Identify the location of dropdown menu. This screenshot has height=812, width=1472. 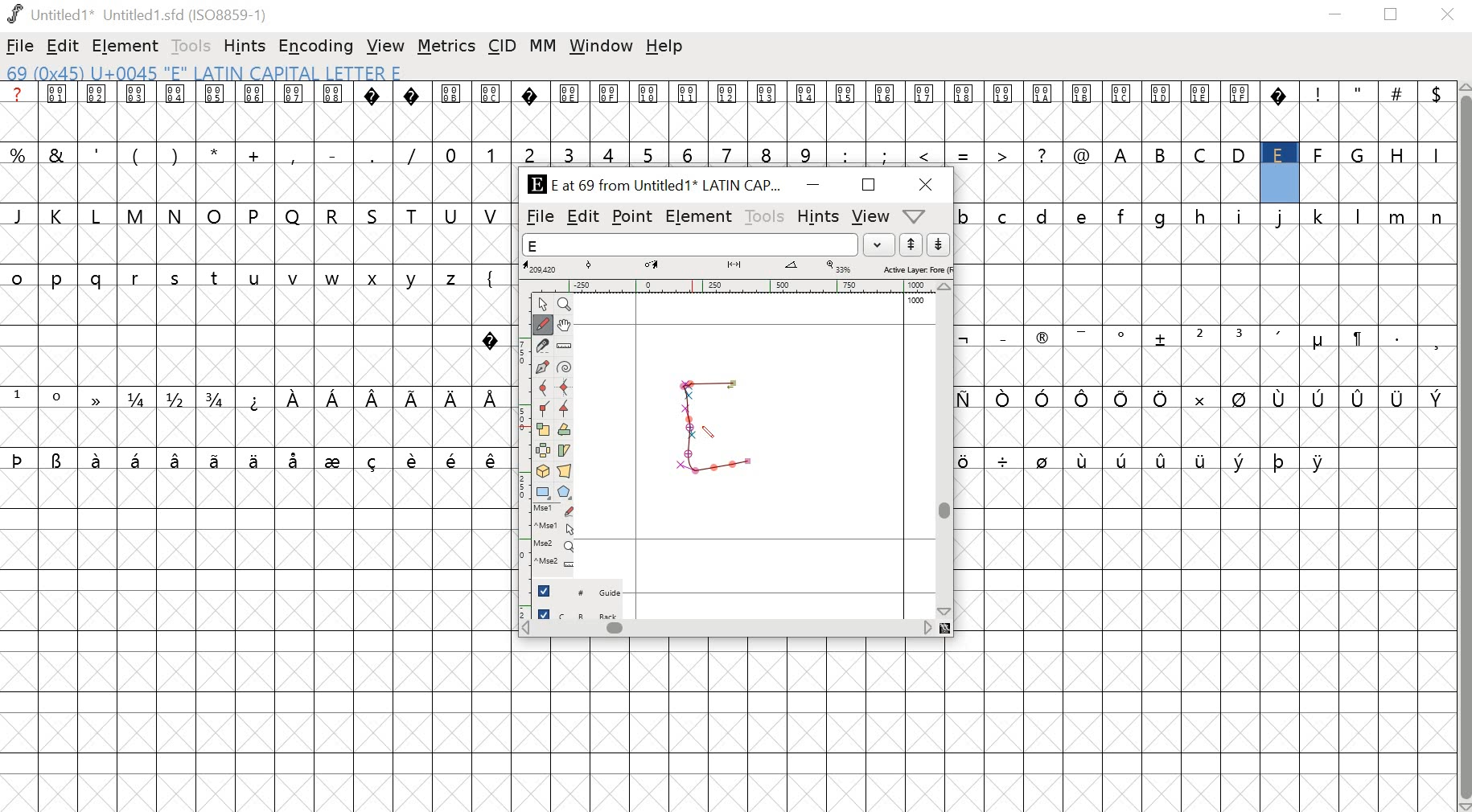
(921, 215).